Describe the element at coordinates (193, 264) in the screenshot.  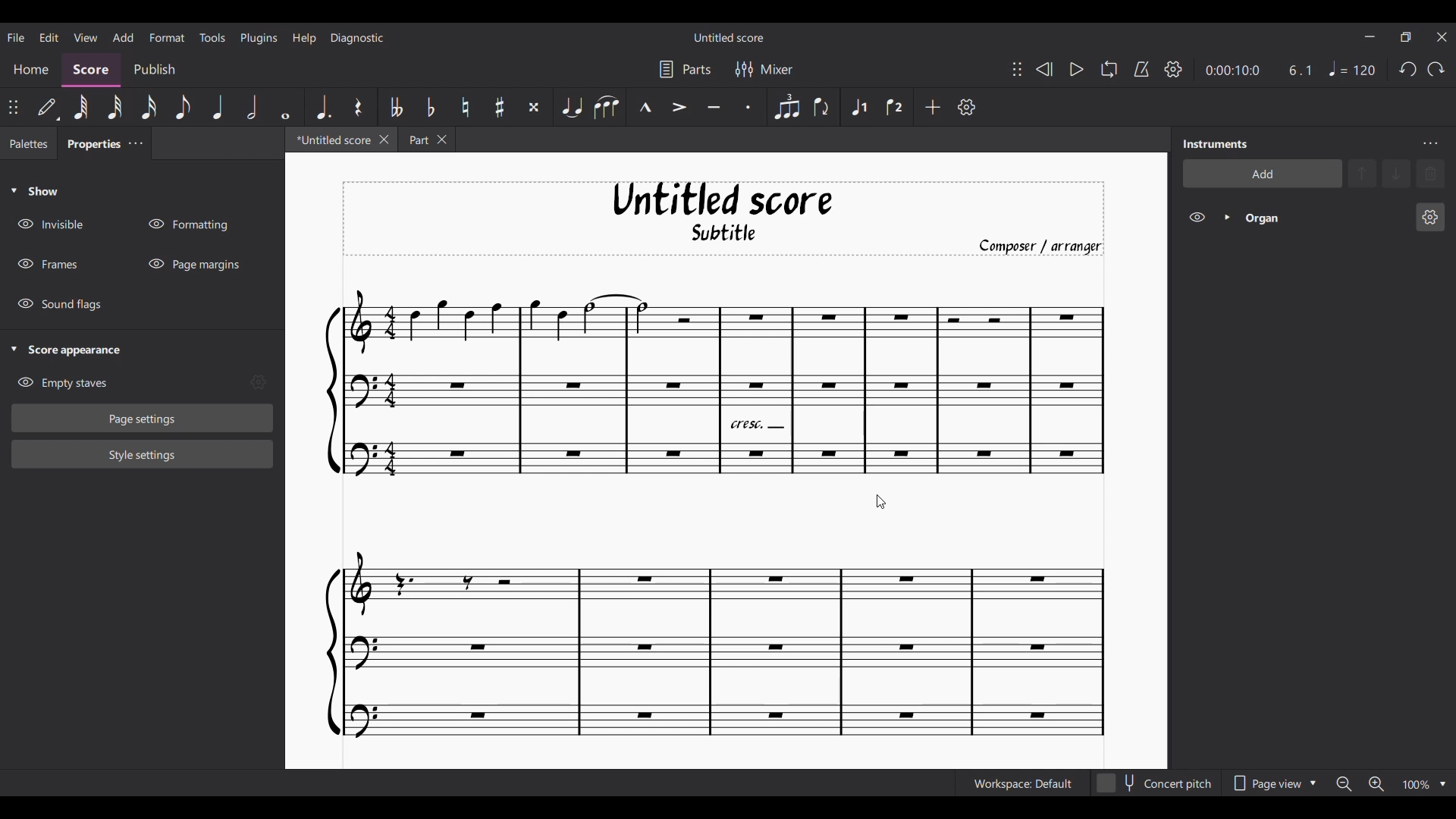
I see `Hide Page margins` at that location.